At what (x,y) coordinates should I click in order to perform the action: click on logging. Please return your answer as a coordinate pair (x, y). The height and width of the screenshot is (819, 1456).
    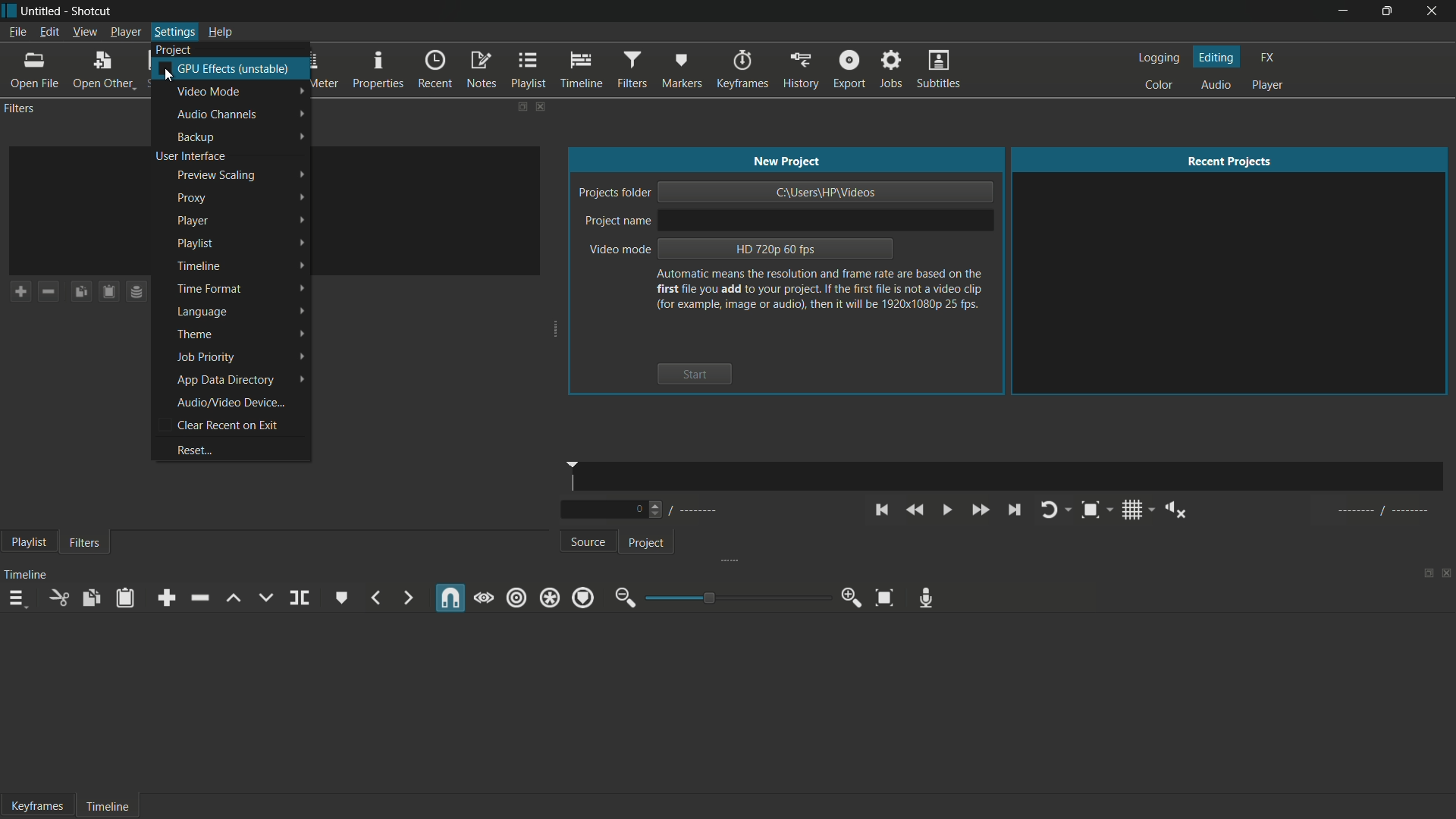
    Looking at the image, I should click on (1158, 58).